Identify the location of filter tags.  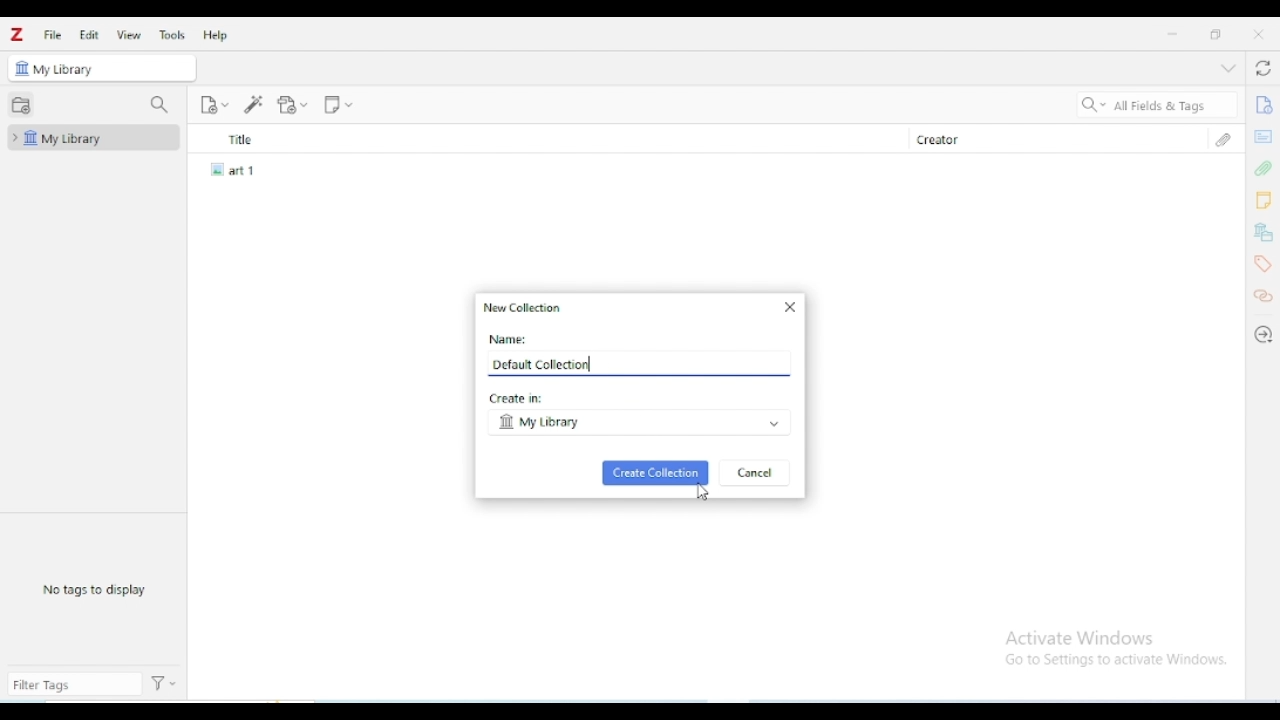
(74, 685).